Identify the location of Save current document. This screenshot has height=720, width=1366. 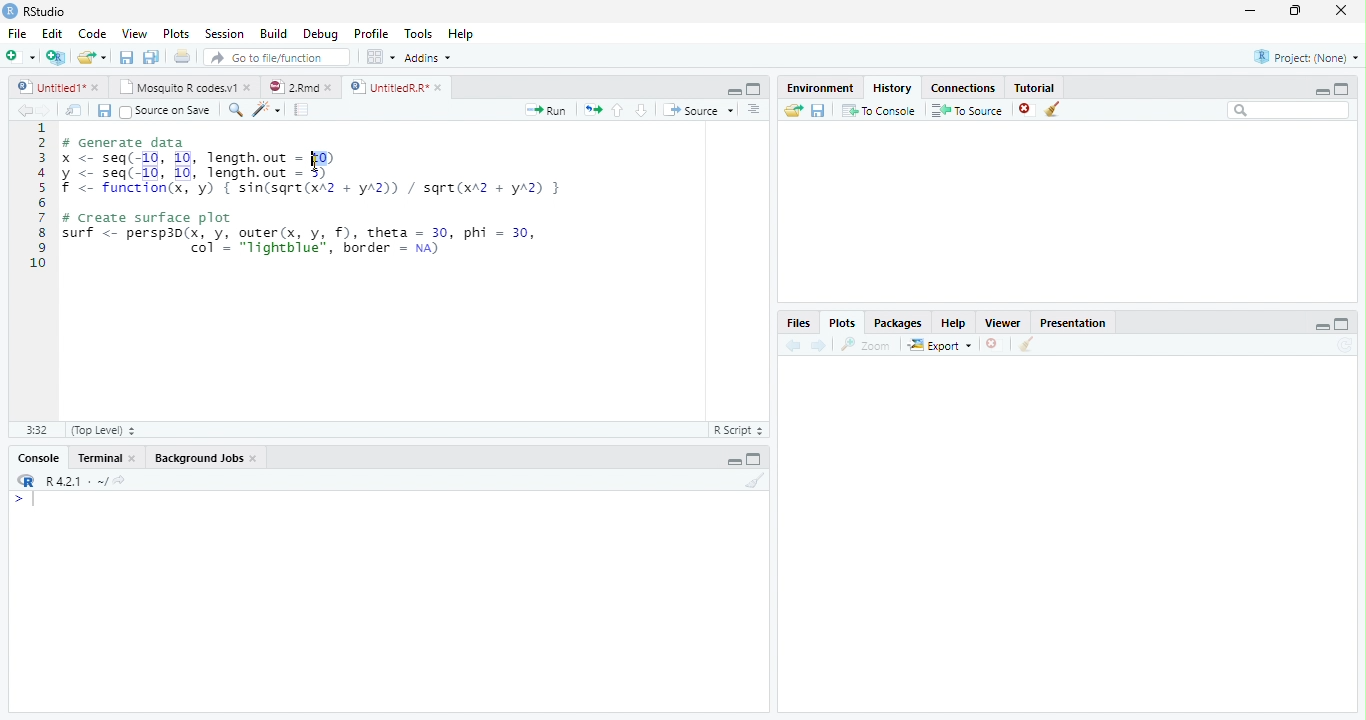
(103, 110).